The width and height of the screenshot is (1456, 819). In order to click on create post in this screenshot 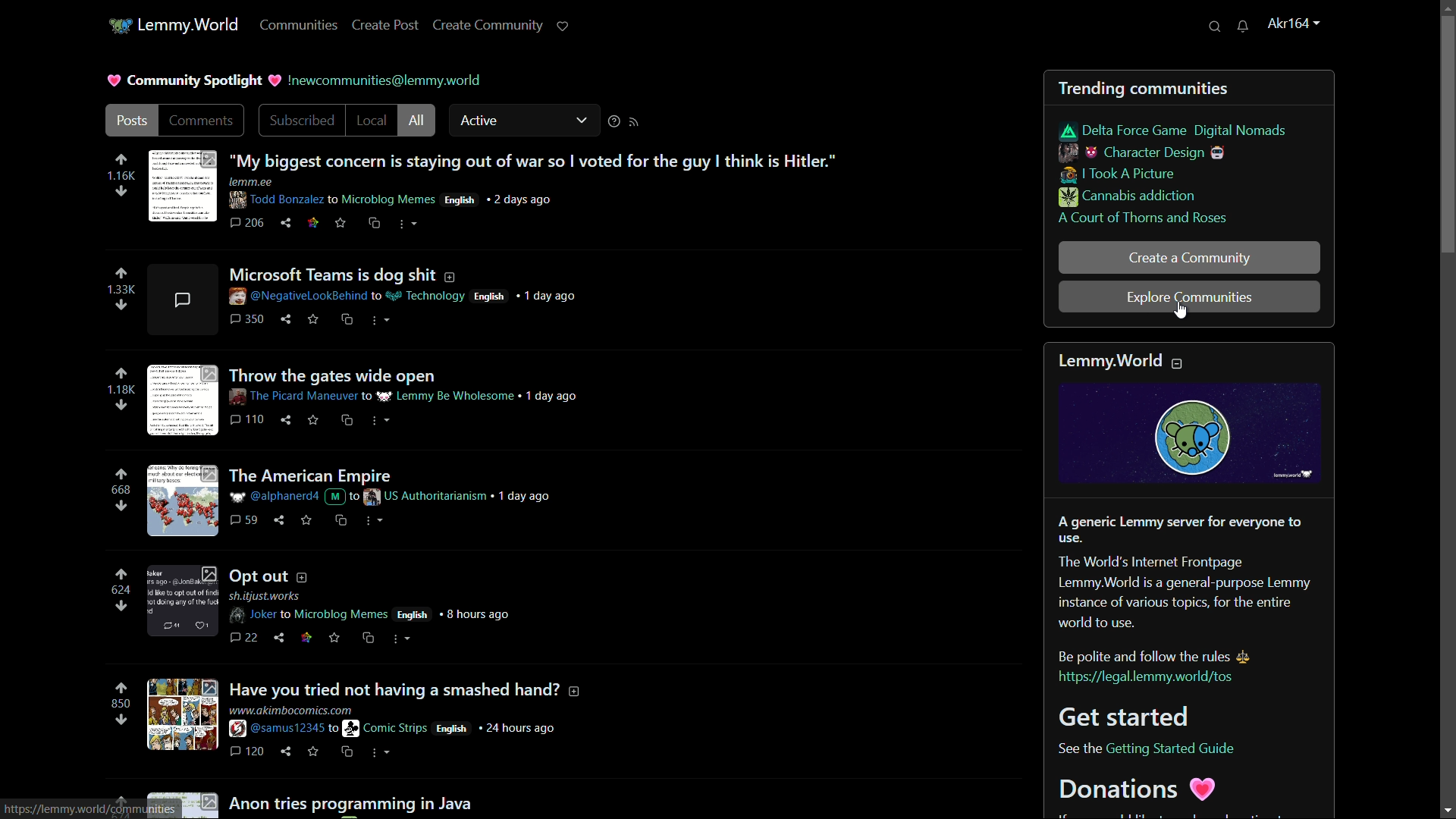, I will do `click(384, 24)`.